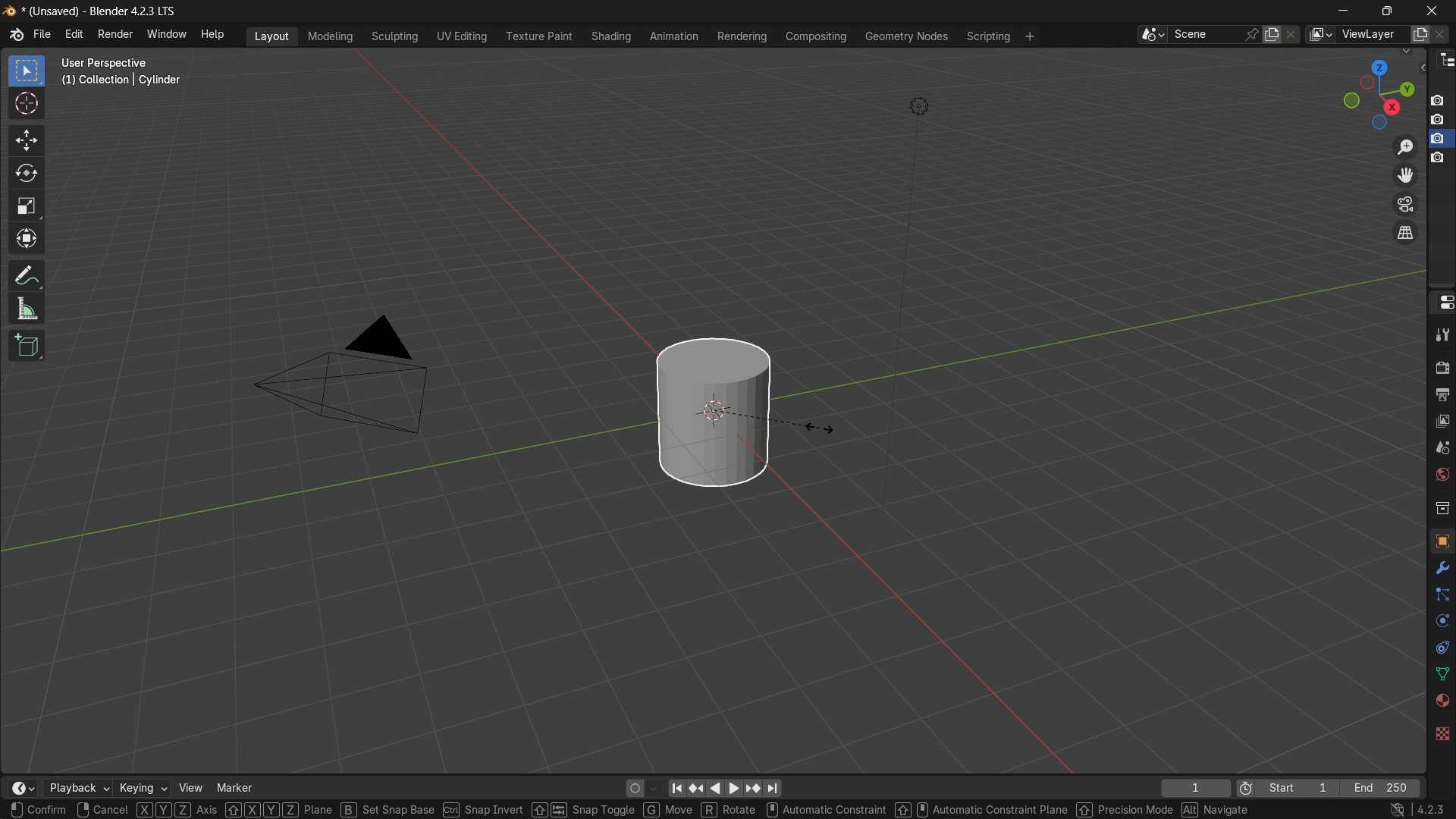  I want to click on constraints, so click(1441, 650).